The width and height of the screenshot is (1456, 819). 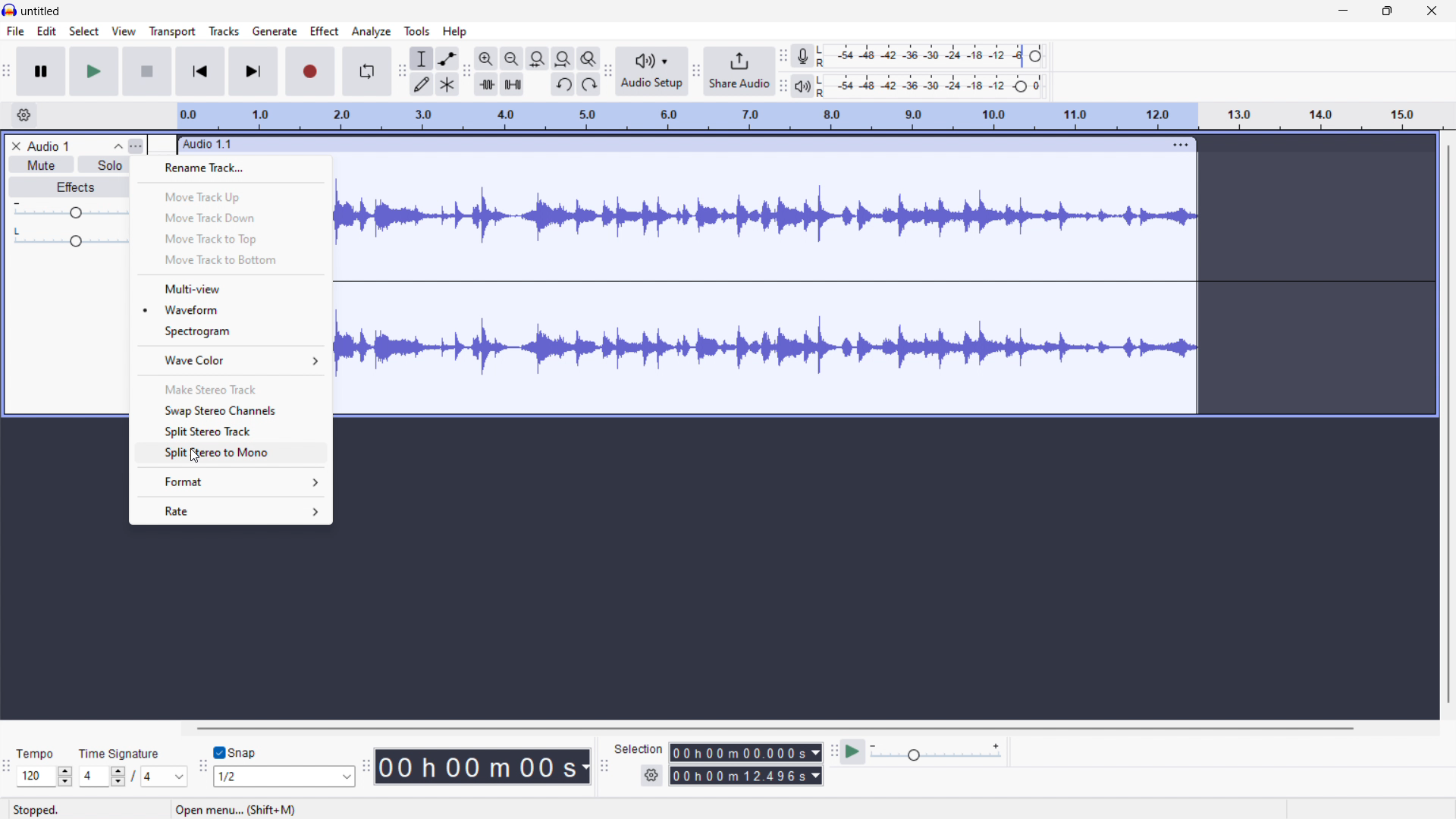 I want to click on fit project to width, so click(x=563, y=58).